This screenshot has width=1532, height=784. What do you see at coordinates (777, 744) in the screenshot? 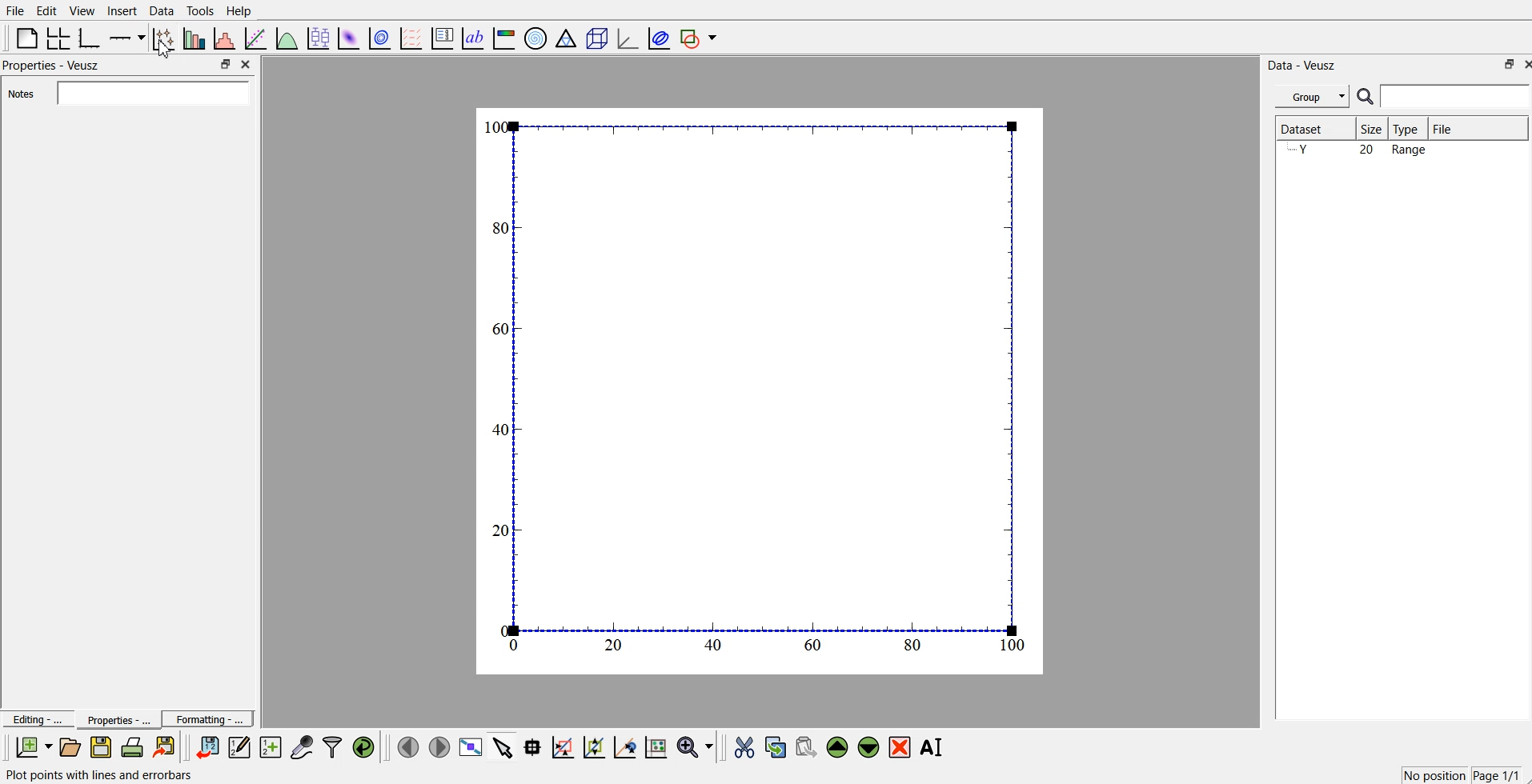
I see `copy` at bounding box center [777, 744].